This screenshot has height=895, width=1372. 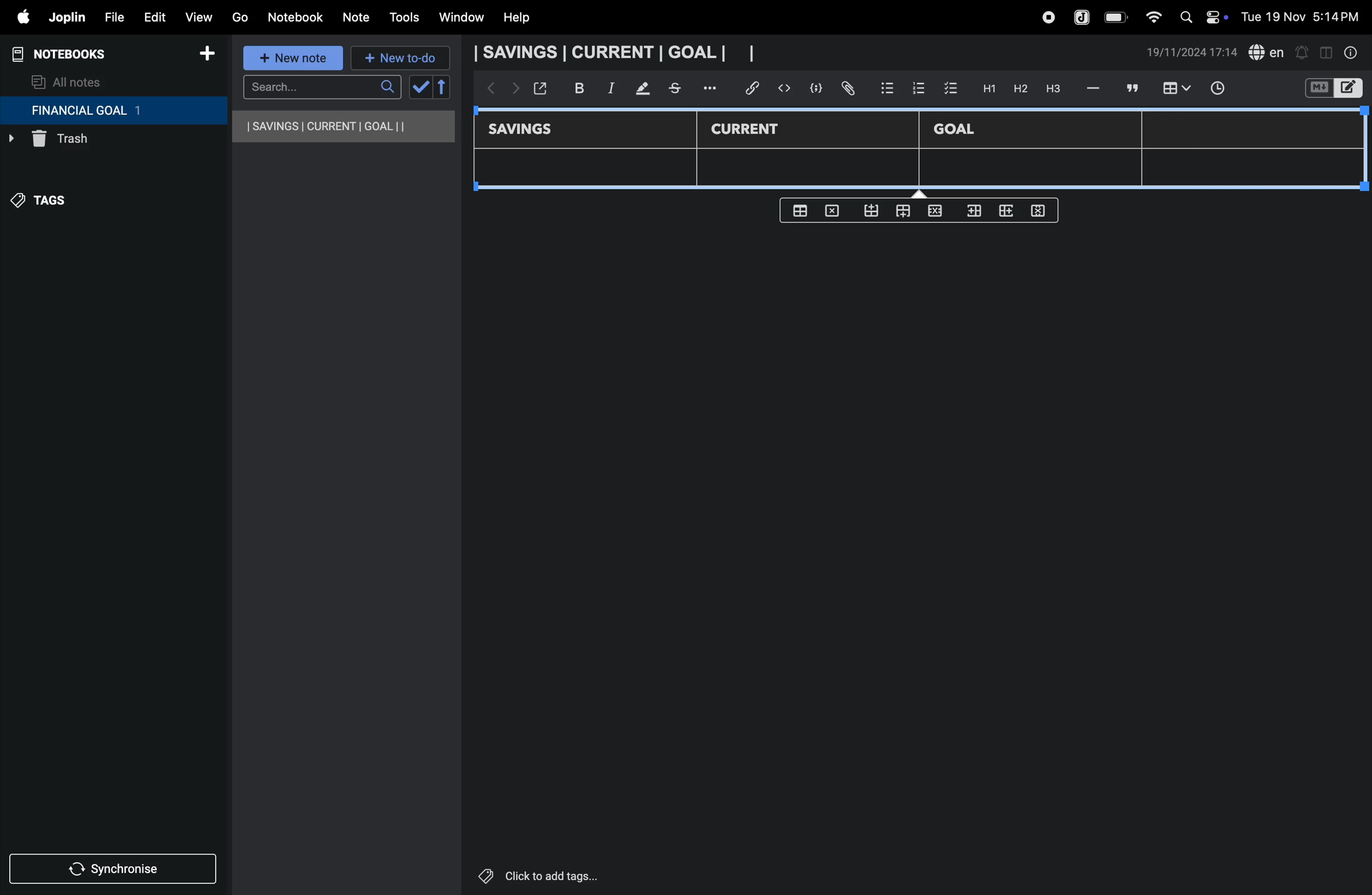 What do you see at coordinates (322, 87) in the screenshot?
I see `search` at bounding box center [322, 87].